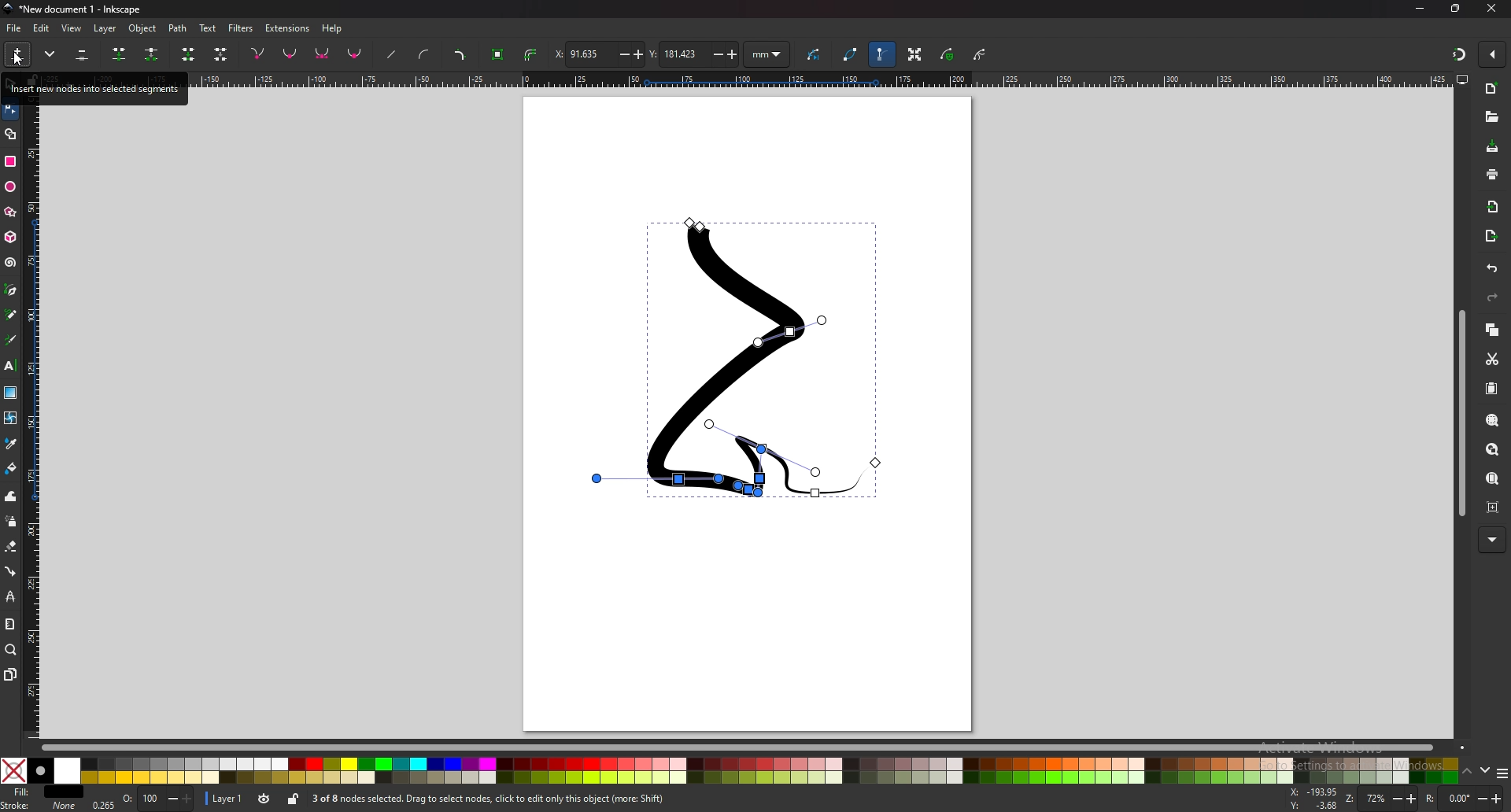 This screenshot has width=1511, height=812. I want to click on calligraphy, so click(11, 339).